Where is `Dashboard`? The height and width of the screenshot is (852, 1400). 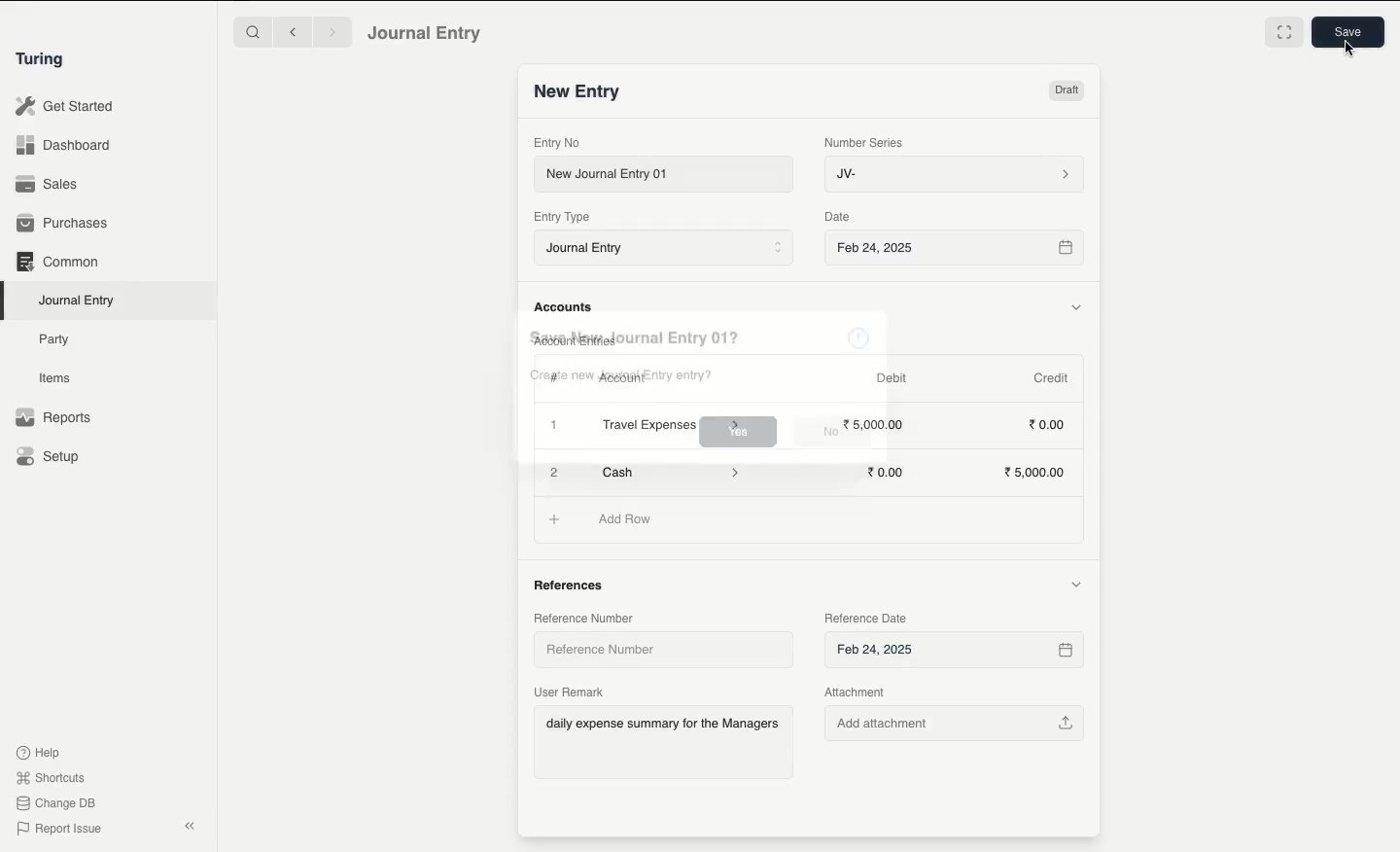
Dashboard is located at coordinates (63, 146).